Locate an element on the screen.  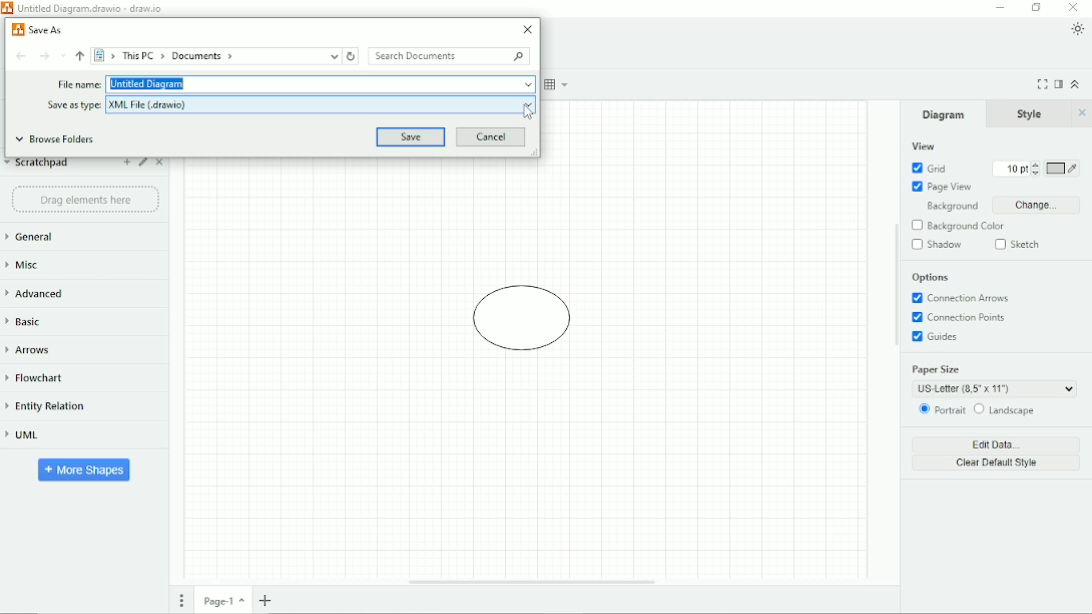
Clear Default Style is located at coordinates (996, 463).